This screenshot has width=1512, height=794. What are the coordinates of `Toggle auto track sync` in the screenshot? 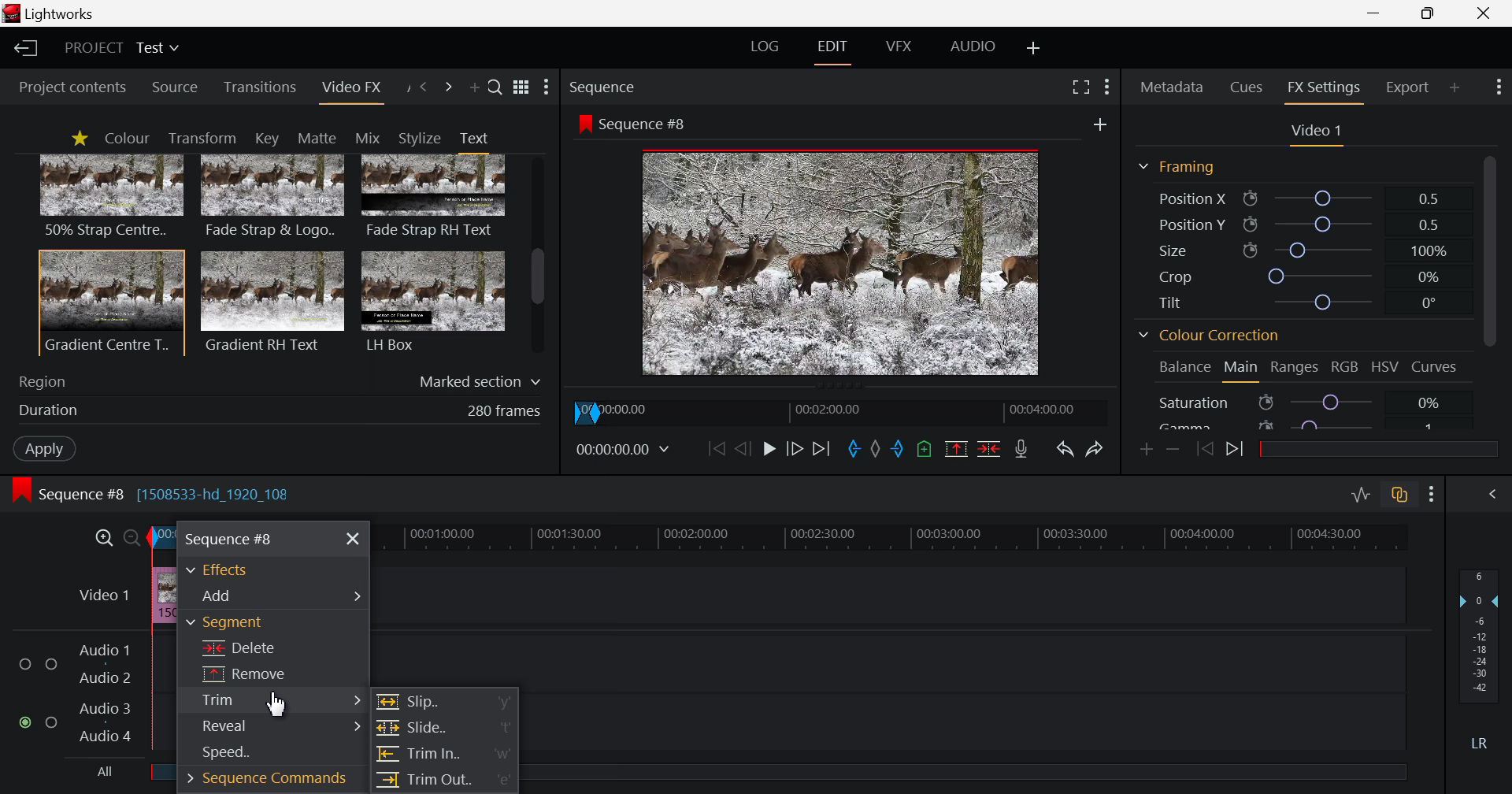 It's located at (1402, 497).